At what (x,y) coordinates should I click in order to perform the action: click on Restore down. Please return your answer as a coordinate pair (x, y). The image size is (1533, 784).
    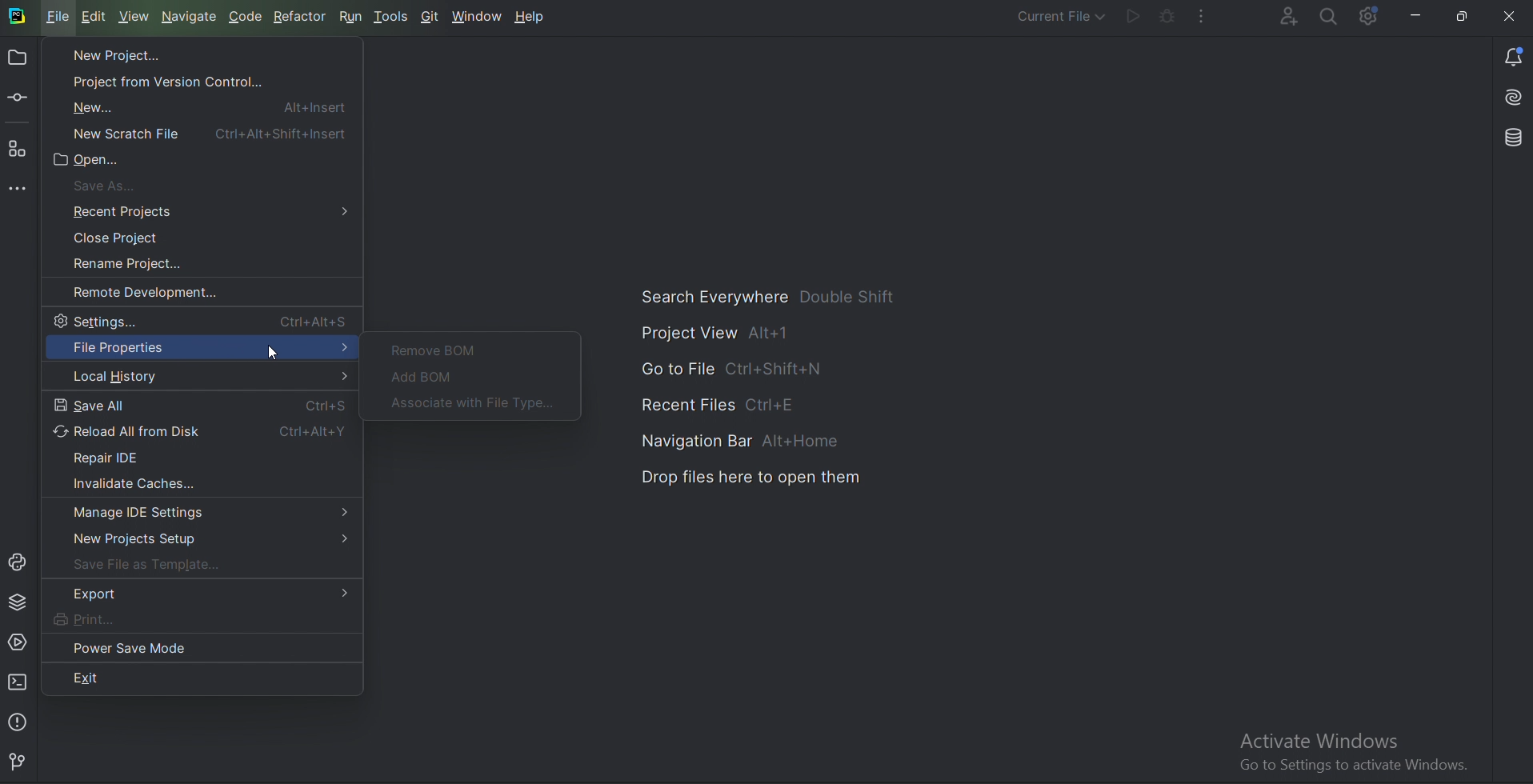
    Looking at the image, I should click on (1463, 13).